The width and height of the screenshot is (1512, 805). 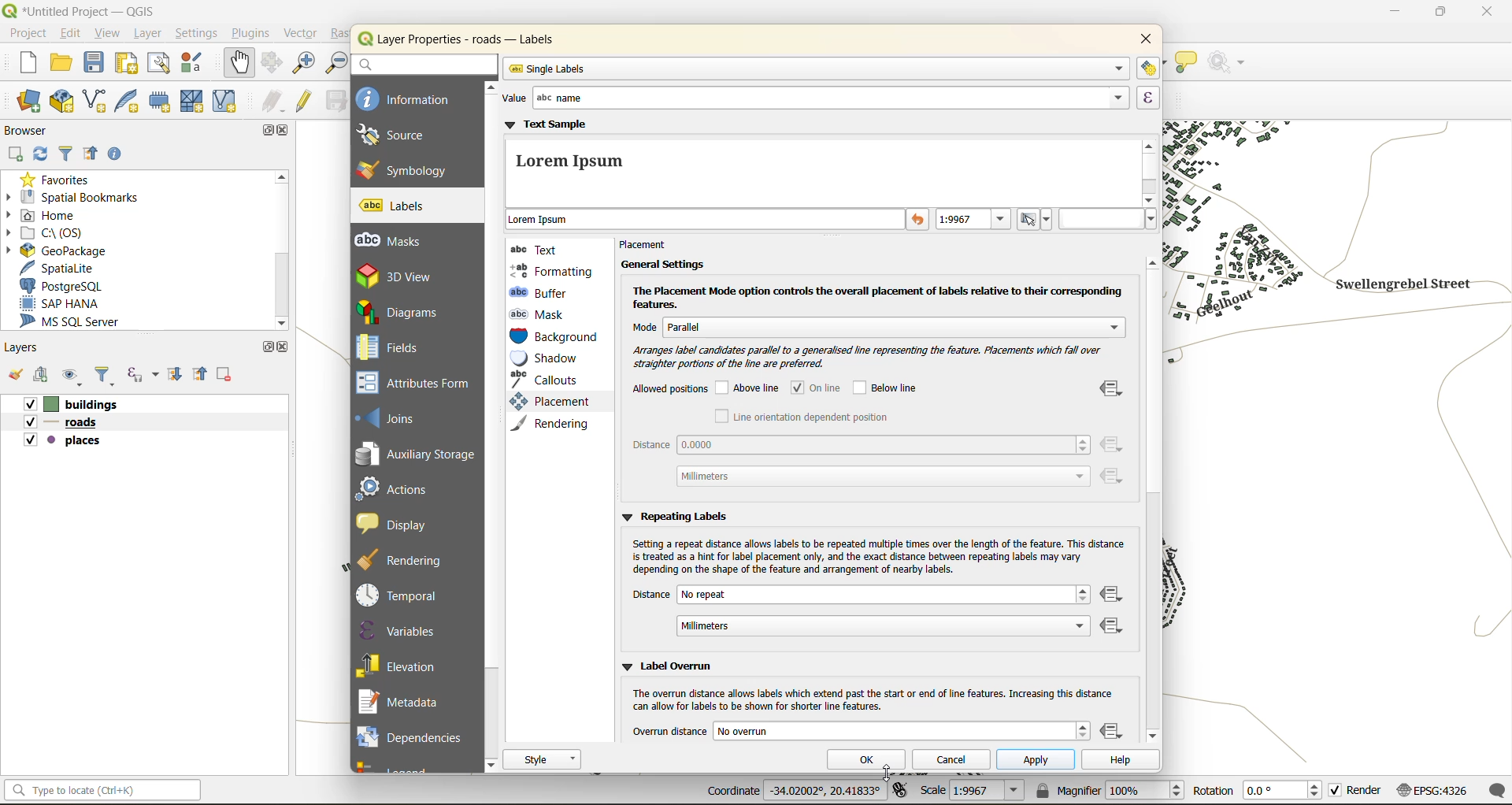 What do you see at coordinates (1431, 787) in the screenshot?
I see `crs` at bounding box center [1431, 787].